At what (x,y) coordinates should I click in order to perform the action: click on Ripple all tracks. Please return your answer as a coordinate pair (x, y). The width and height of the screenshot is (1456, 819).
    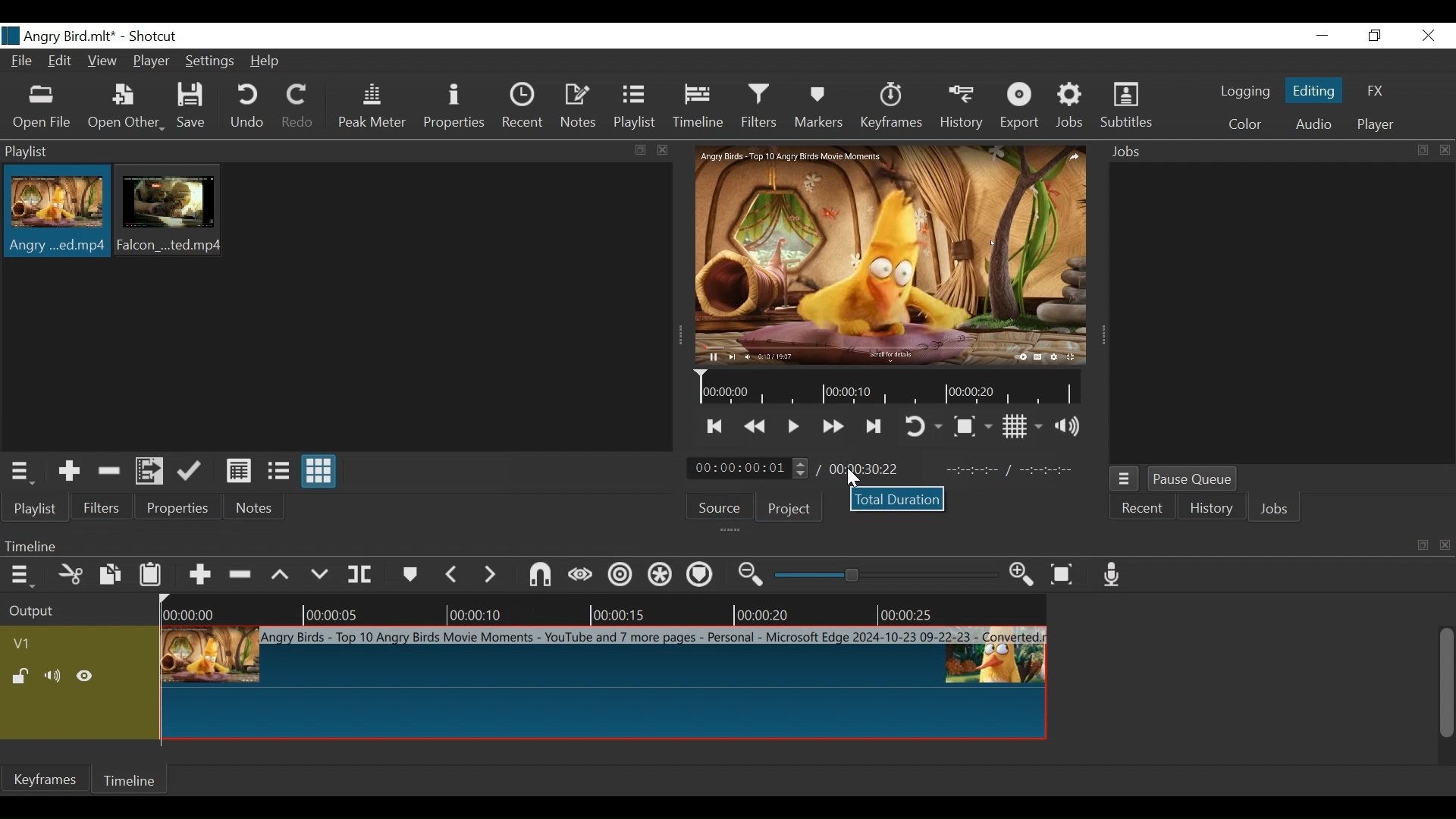
    Looking at the image, I should click on (658, 575).